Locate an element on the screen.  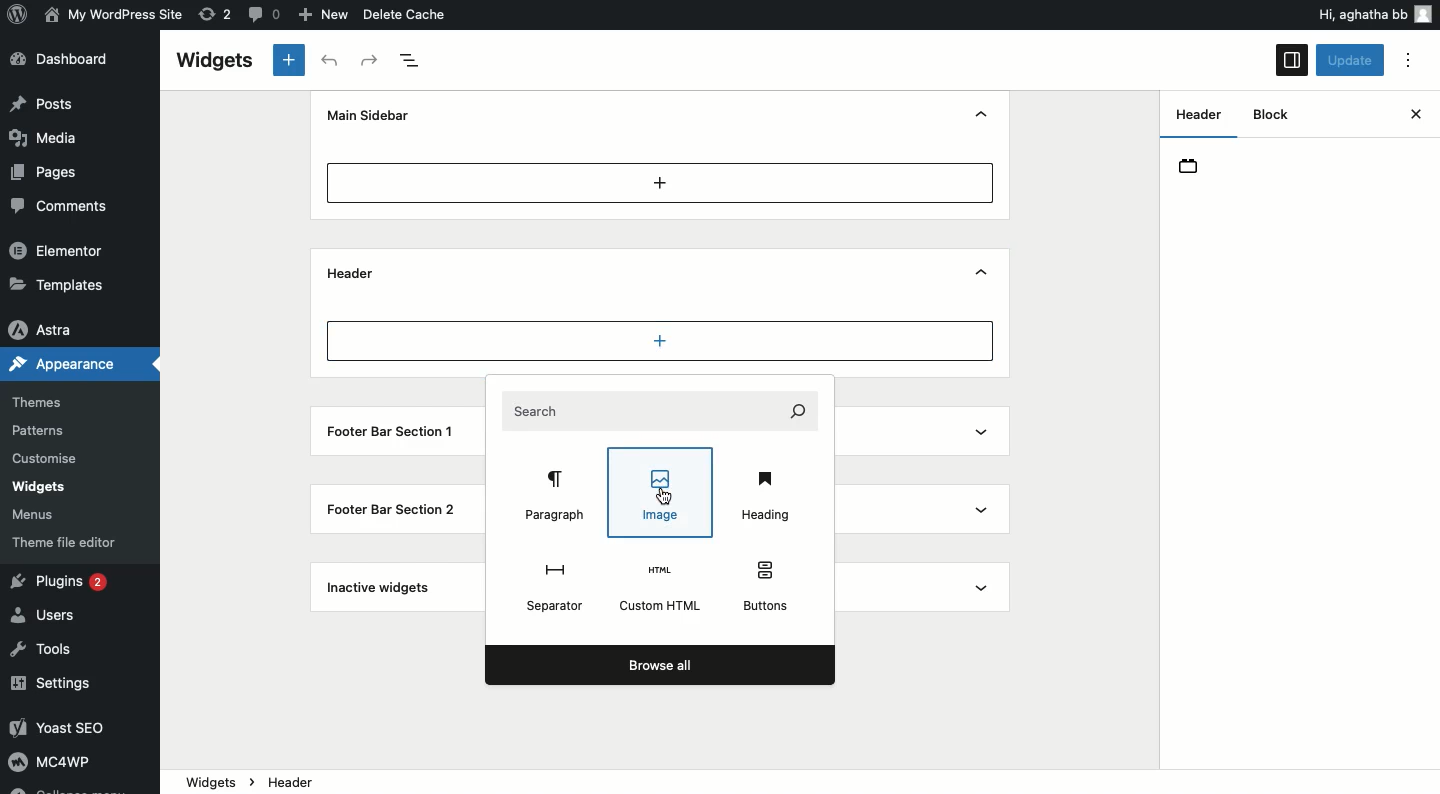
Widgets is located at coordinates (211, 780).